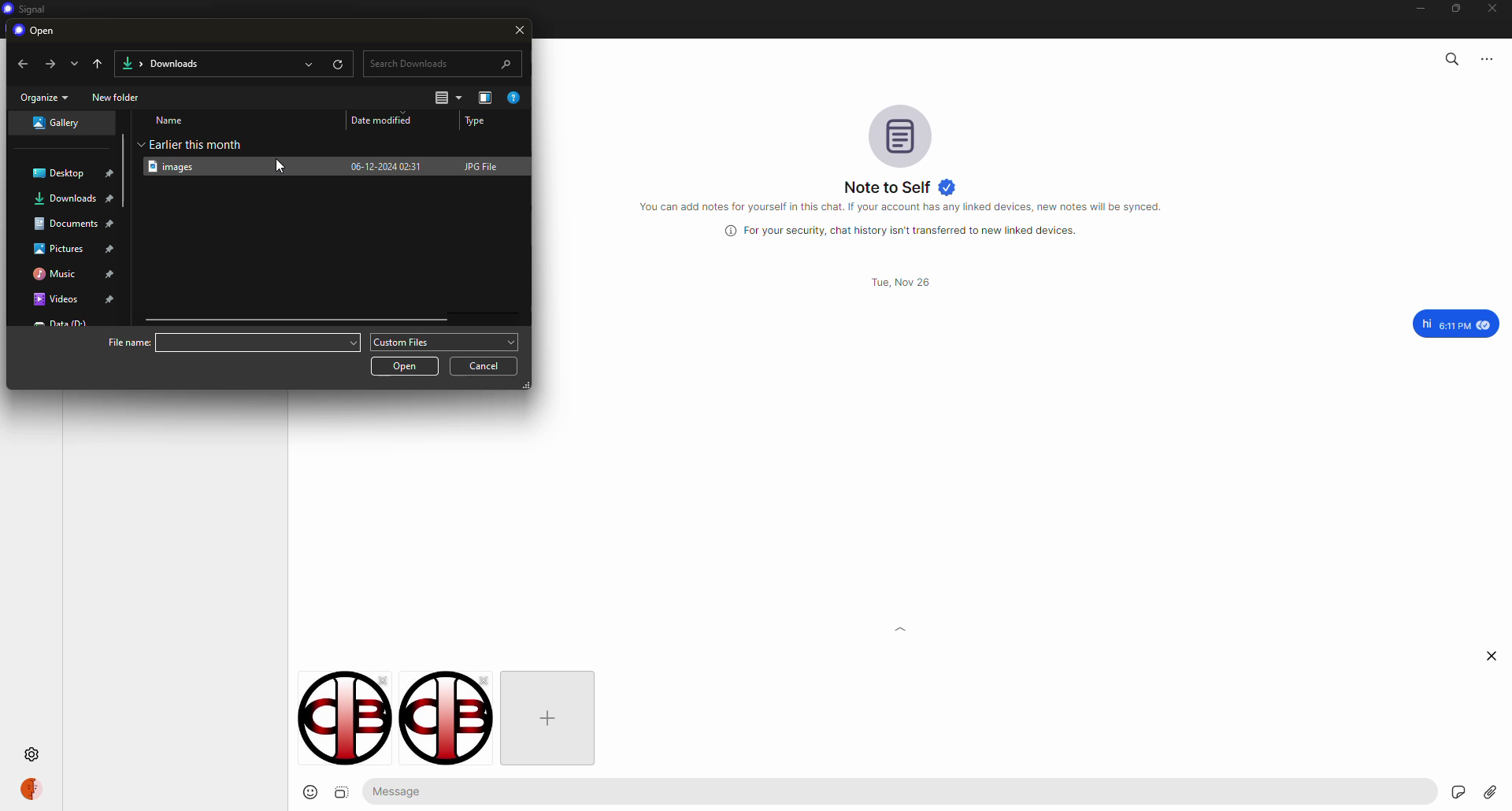 The height and width of the screenshot is (811, 1512). What do you see at coordinates (33, 755) in the screenshot?
I see `settings` at bounding box center [33, 755].